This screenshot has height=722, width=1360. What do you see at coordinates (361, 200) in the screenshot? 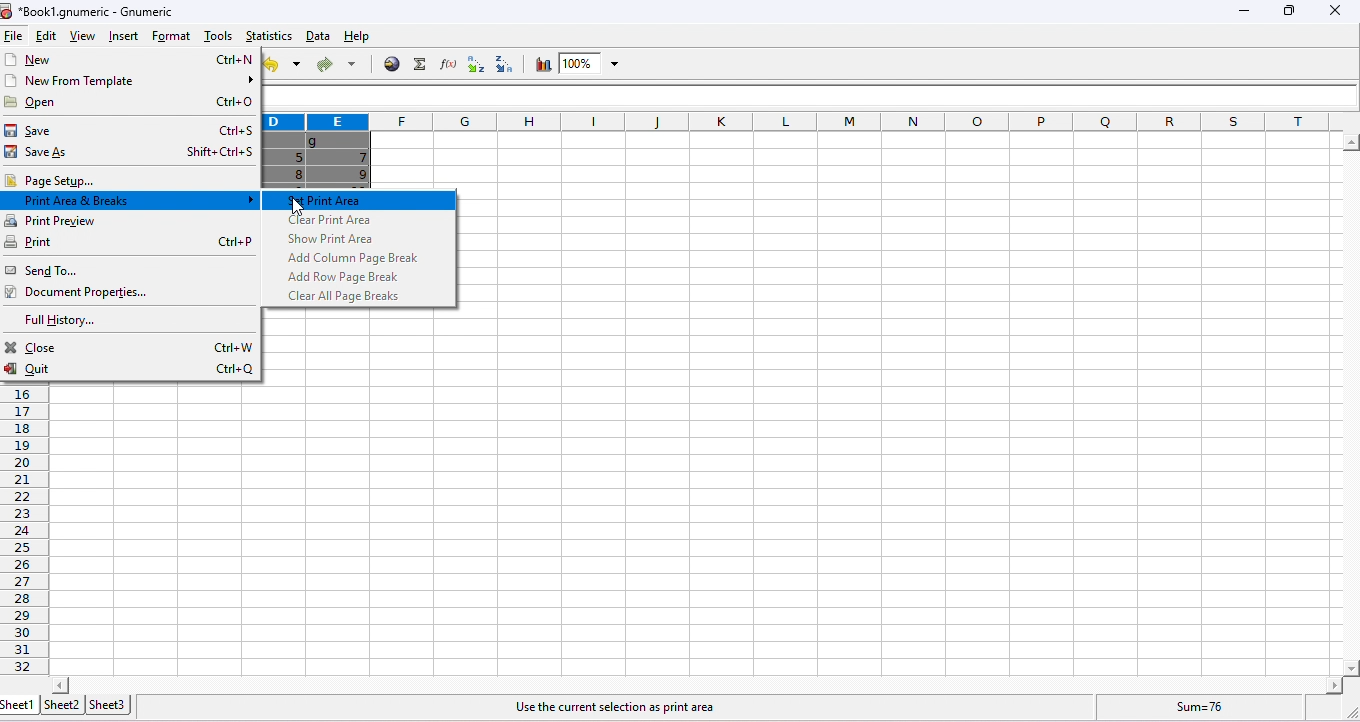
I see `color changed` at bounding box center [361, 200].